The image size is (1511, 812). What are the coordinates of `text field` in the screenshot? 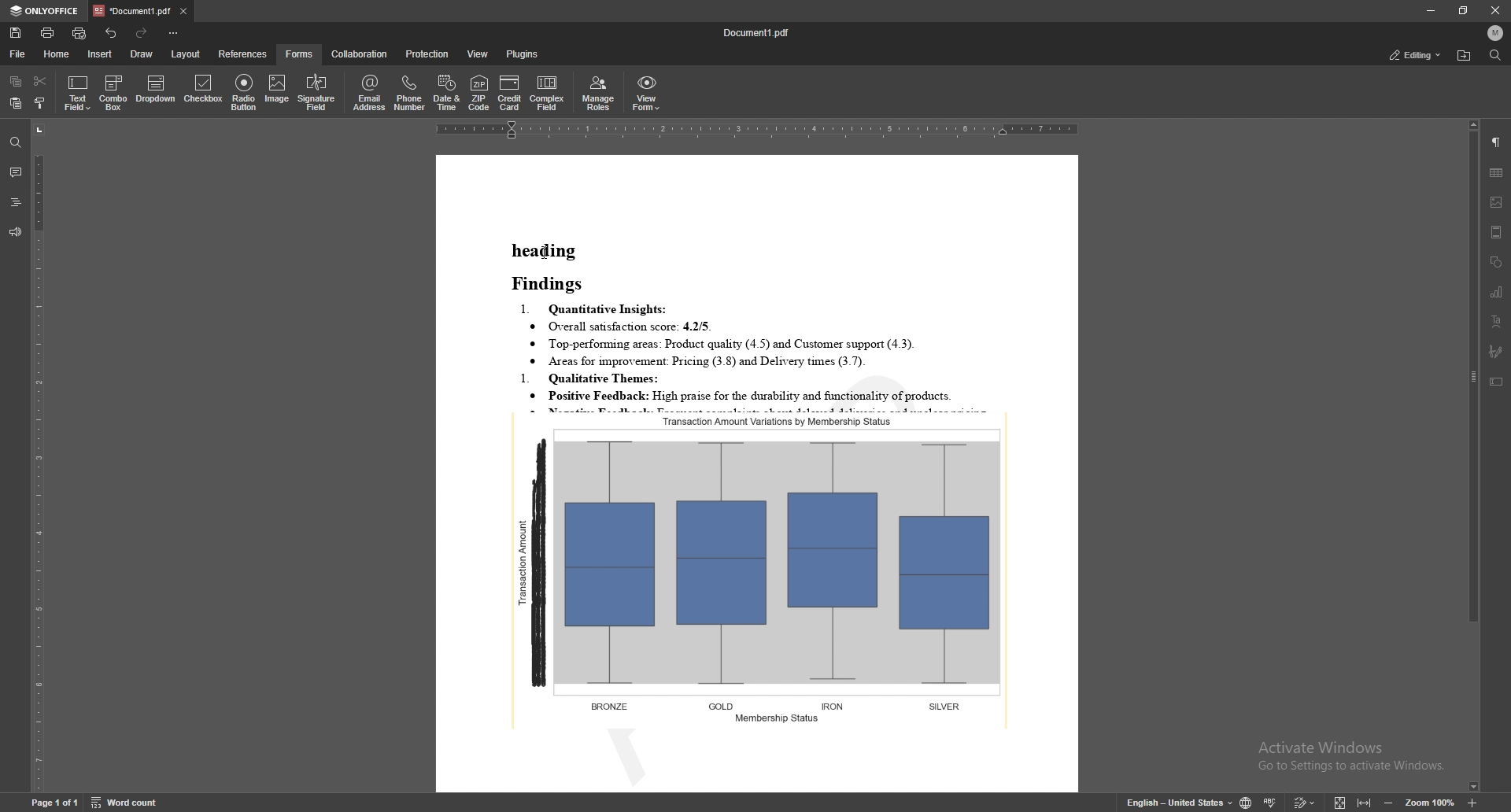 It's located at (79, 92).